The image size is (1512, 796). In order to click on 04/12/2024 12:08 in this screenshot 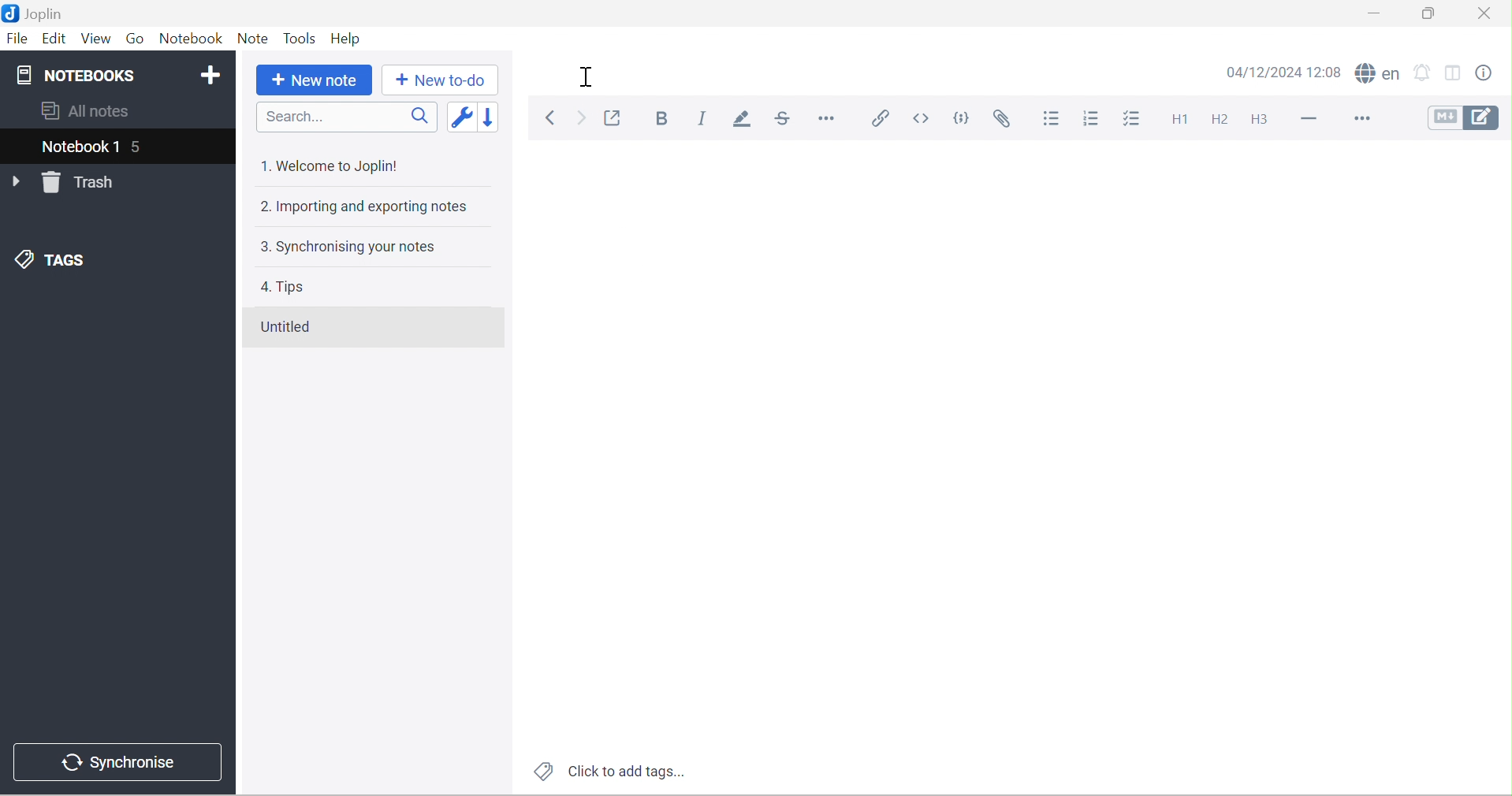, I will do `click(1284, 72)`.